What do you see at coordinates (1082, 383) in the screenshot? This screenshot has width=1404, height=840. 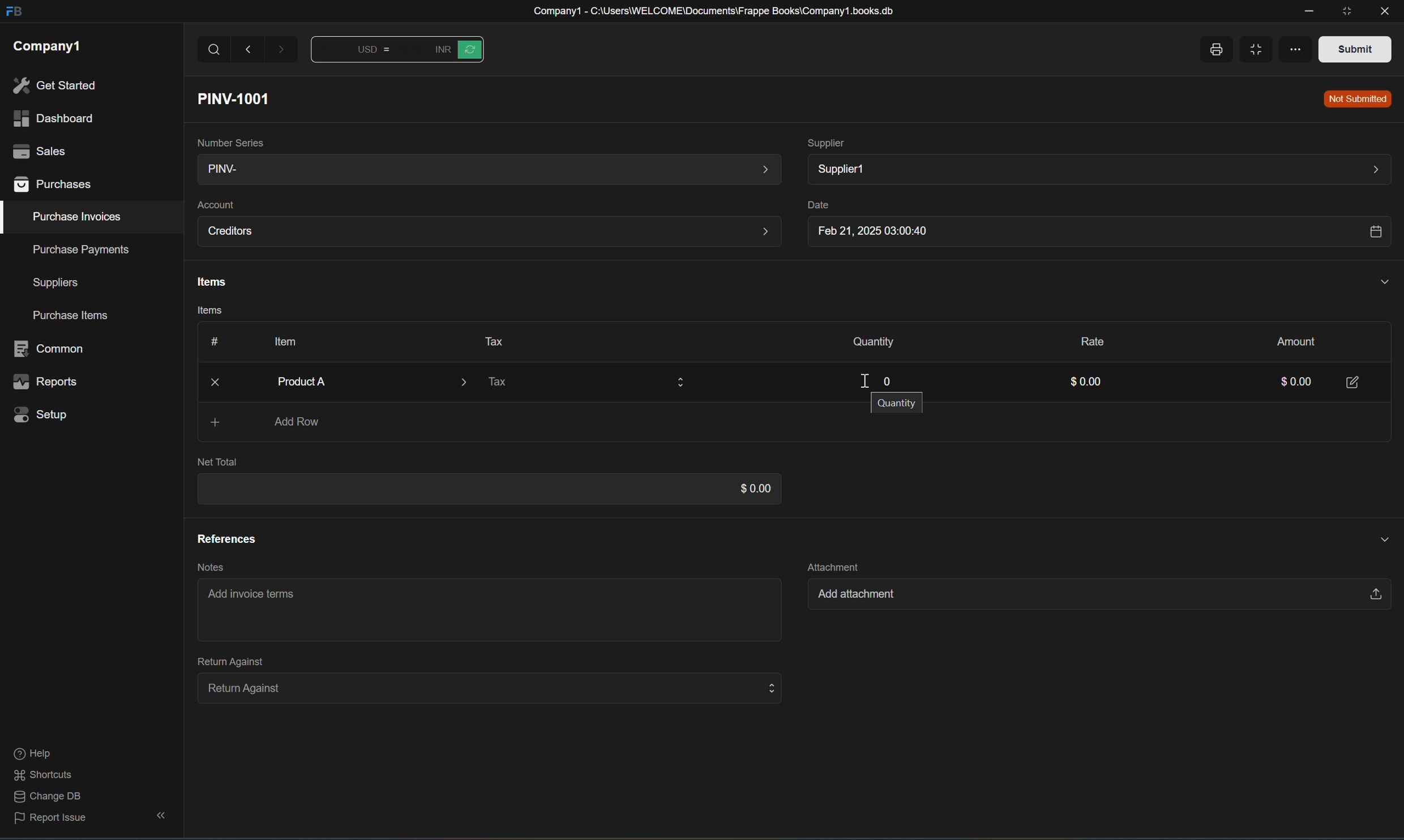 I see `$0.00` at bounding box center [1082, 383].